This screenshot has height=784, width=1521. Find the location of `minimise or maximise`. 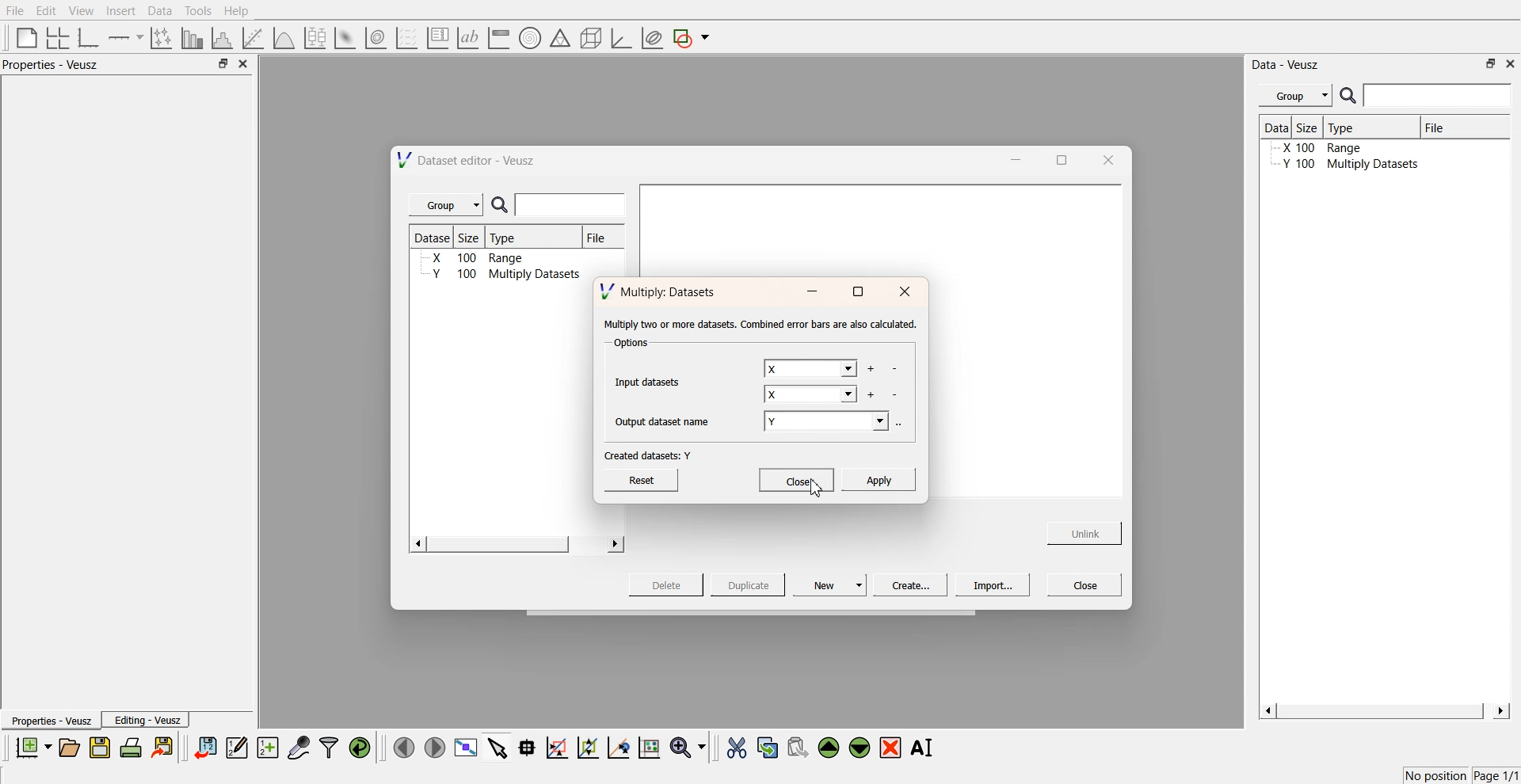

minimise or maximise is located at coordinates (223, 64).